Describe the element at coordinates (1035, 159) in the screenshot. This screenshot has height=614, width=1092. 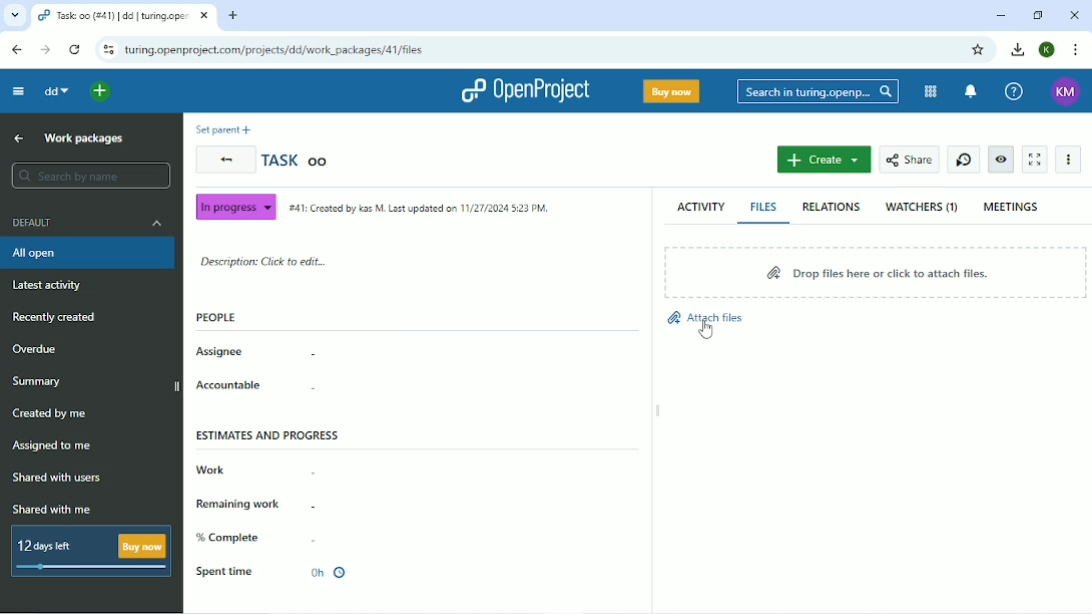
I see `Activate zen mode` at that location.